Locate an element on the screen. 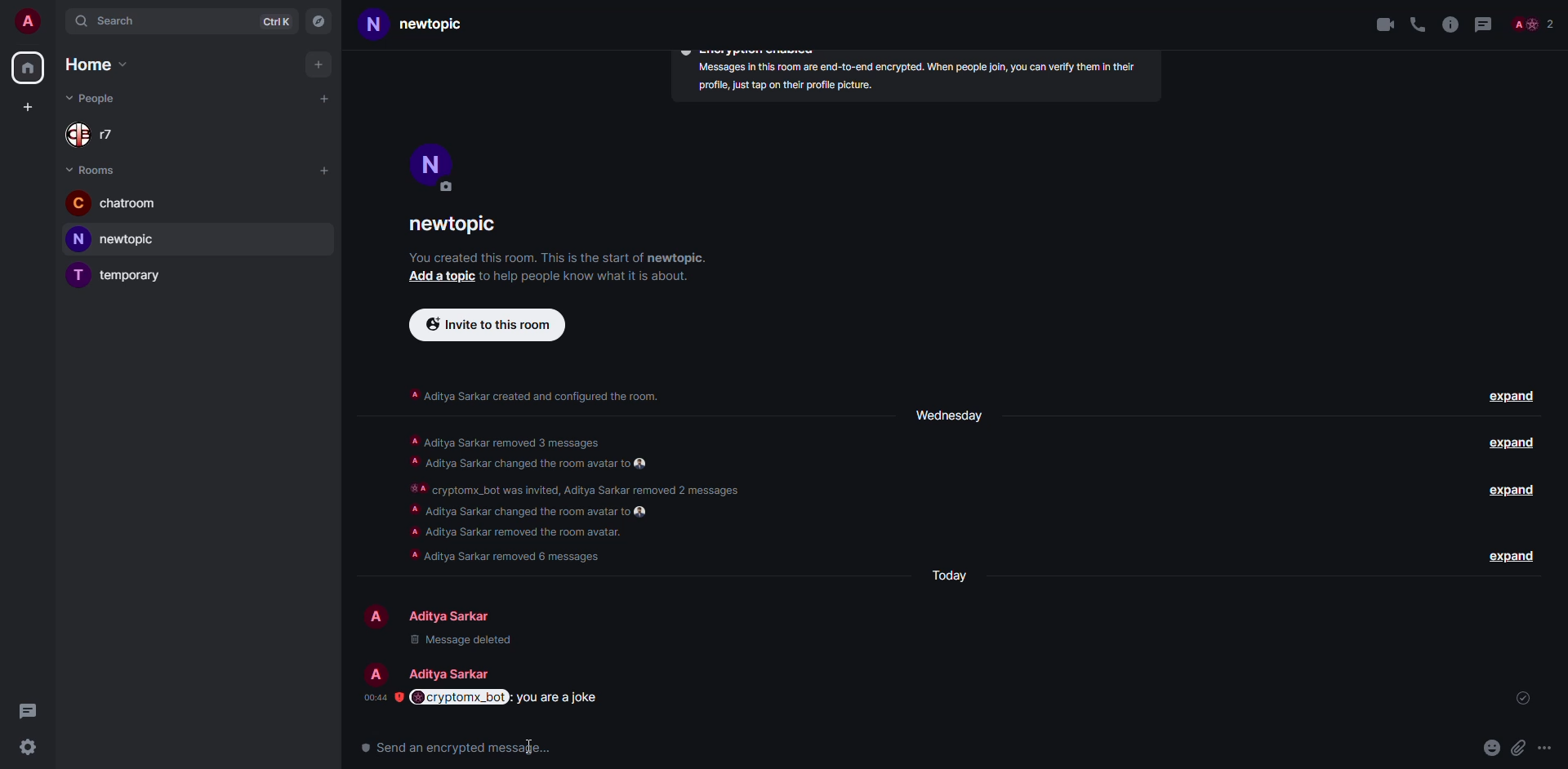  info is located at coordinates (536, 398).